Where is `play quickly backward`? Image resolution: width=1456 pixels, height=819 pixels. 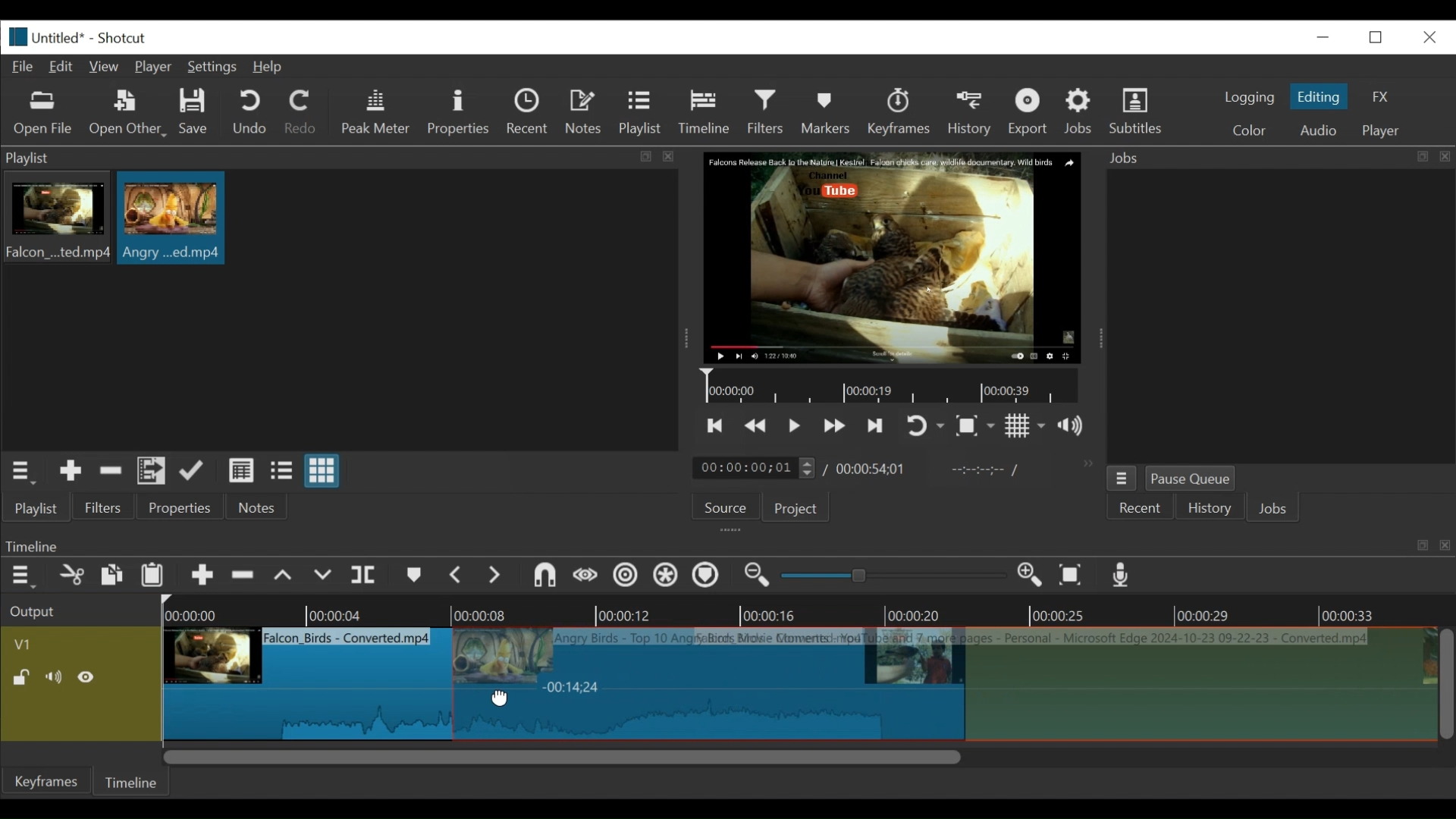 play quickly backward is located at coordinates (756, 426).